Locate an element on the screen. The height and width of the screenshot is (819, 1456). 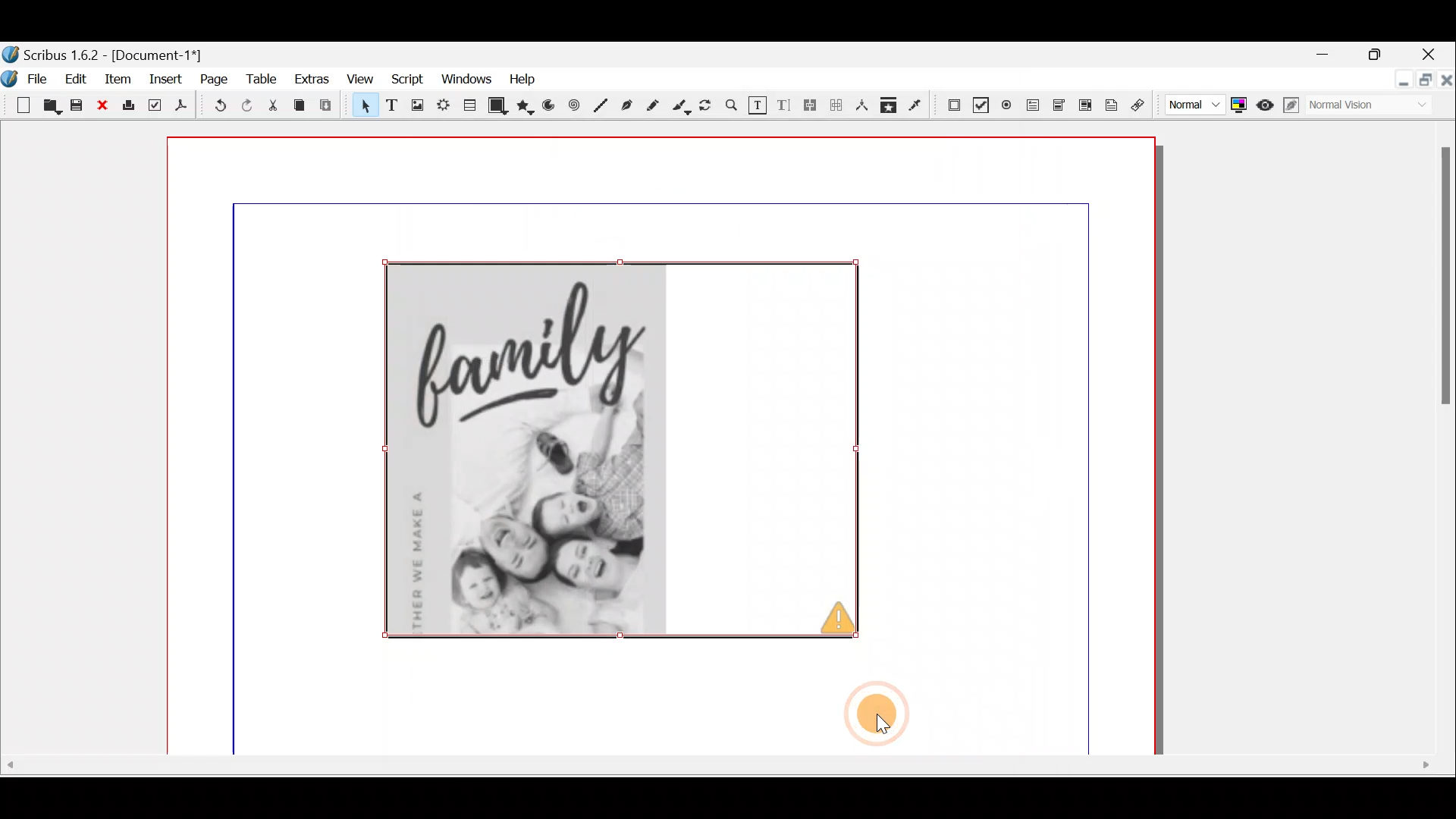
maximise is located at coordinates (1379, 56).